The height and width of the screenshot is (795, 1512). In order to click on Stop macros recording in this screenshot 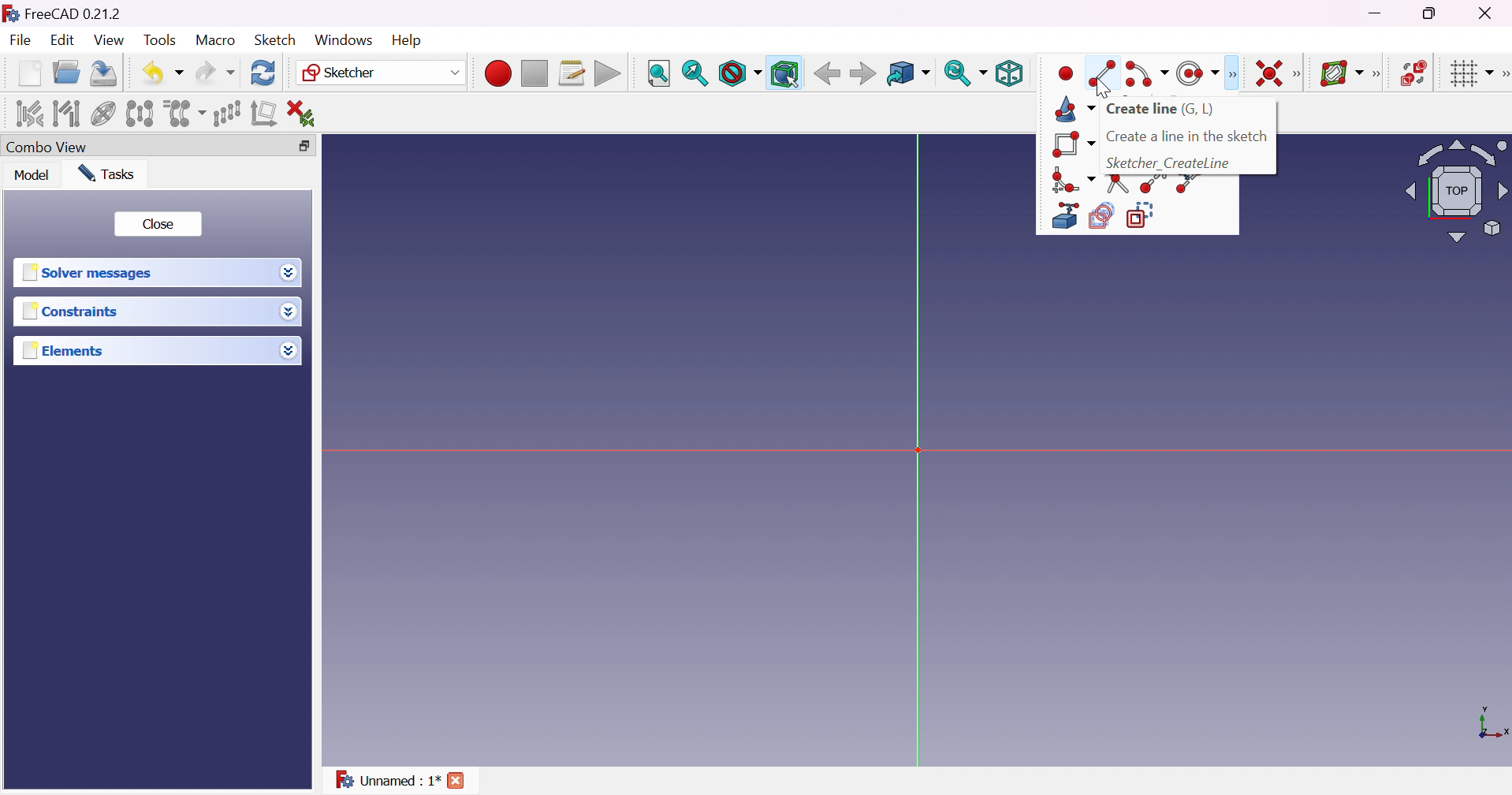, I will do `click(534, 74)`.